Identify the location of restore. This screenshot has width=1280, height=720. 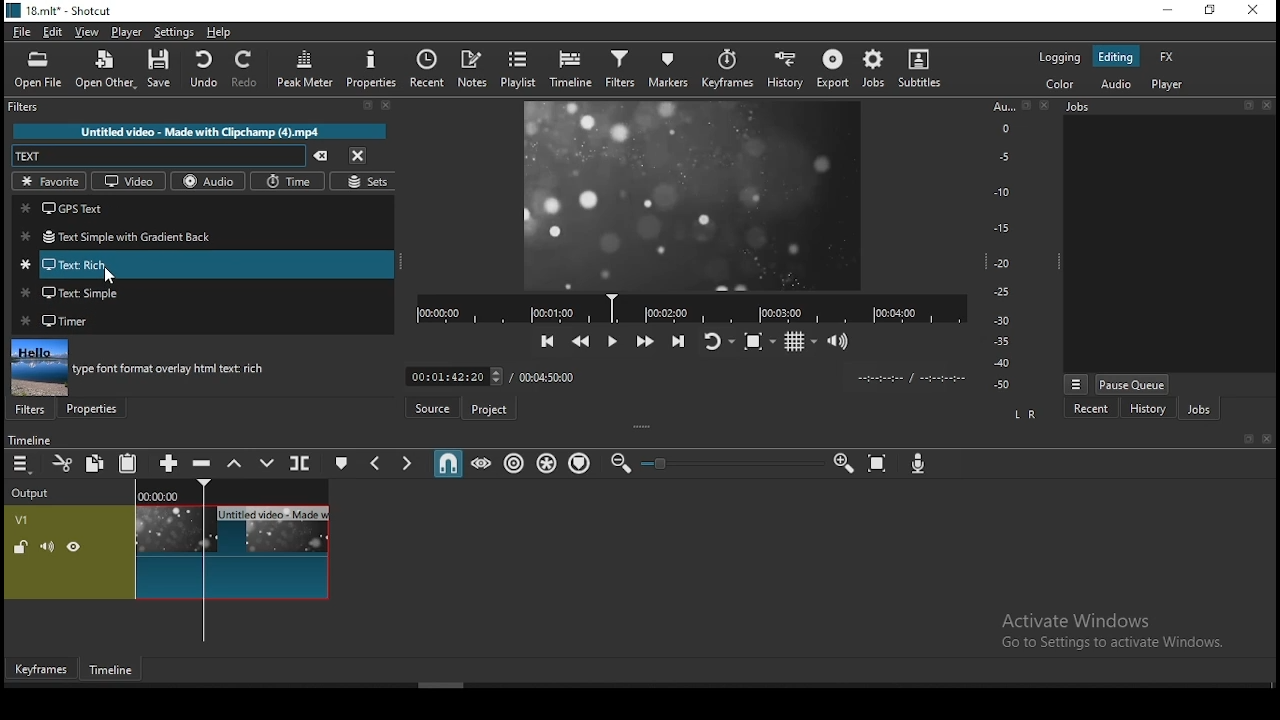
(1212, 9).